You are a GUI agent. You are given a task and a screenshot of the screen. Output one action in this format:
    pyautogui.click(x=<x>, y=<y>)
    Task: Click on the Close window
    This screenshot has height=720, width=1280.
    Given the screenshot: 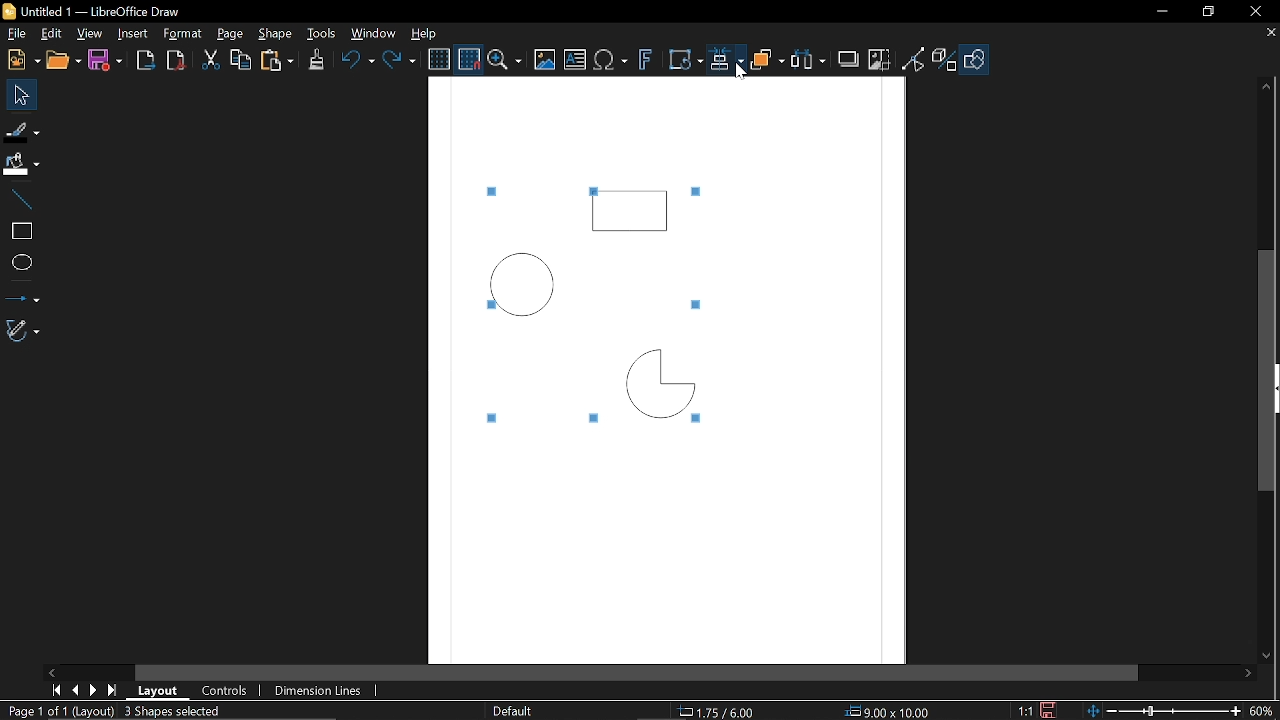 What is the action you would take?
    pyautogui.click(x=1254, y=9)
    